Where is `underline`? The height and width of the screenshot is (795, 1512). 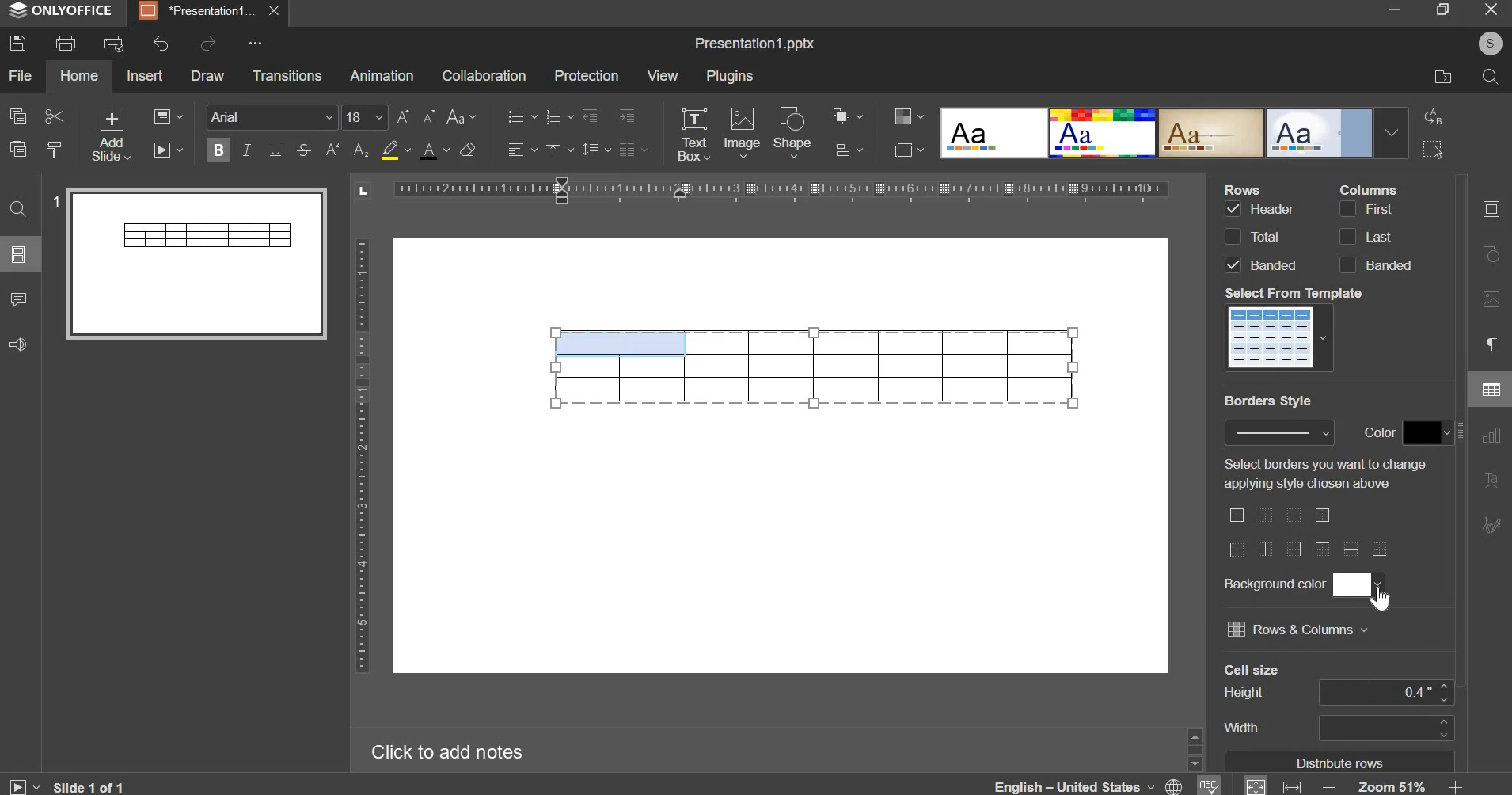
underline is located at coordinates (274, 149).